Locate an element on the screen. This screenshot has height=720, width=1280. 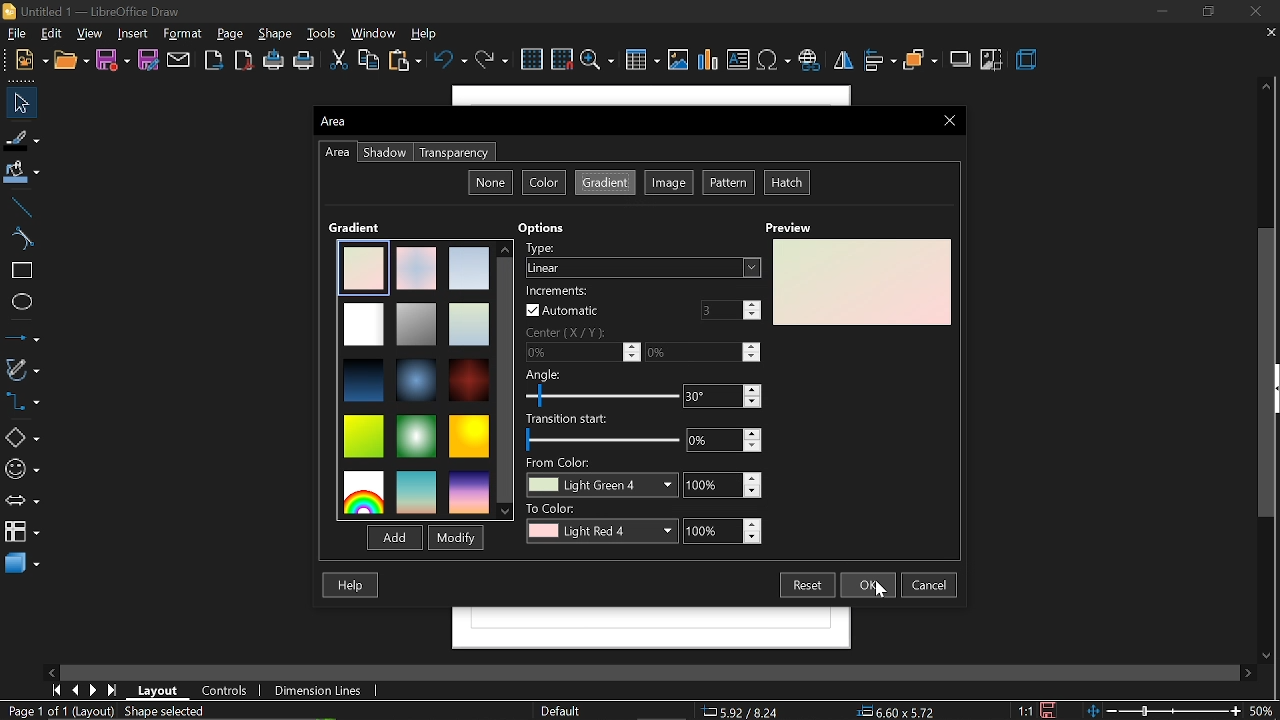
transparency is located at coordinates (454, 153).